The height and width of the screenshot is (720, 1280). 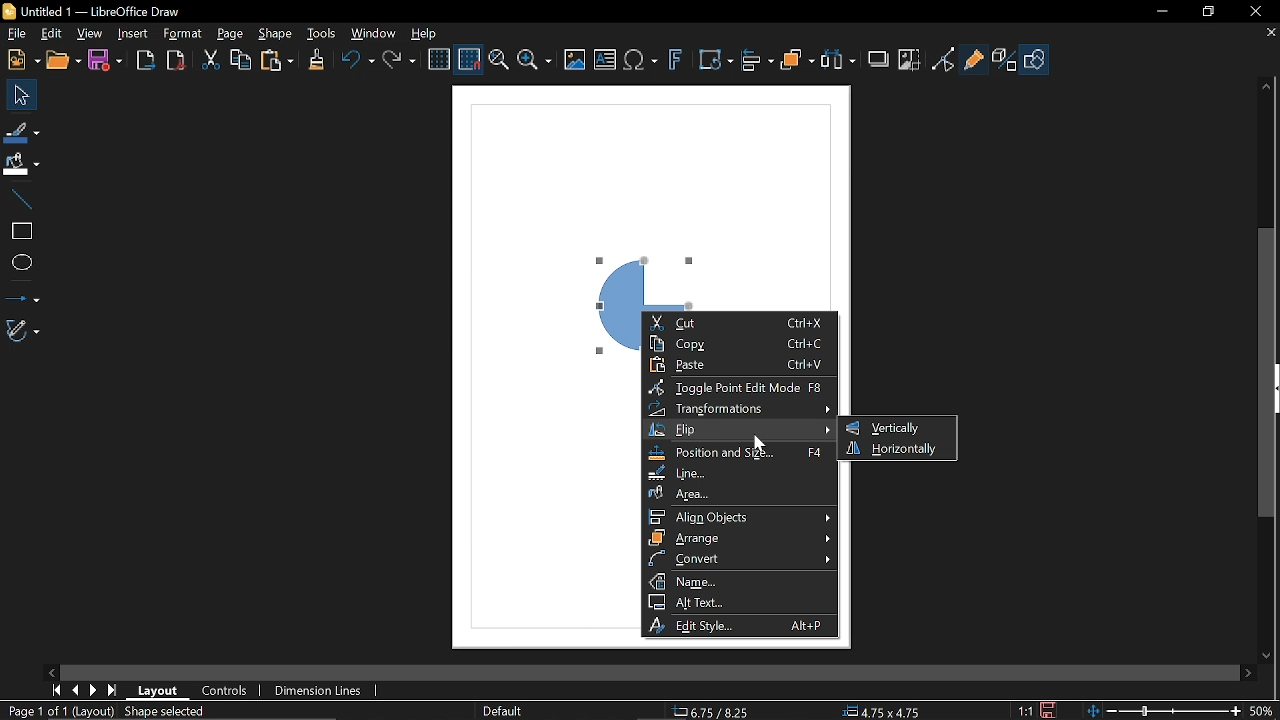 What do you see at coordinates (879, 57) in the screenshot?
I see `Shadow` at bounding box center [879, 57].